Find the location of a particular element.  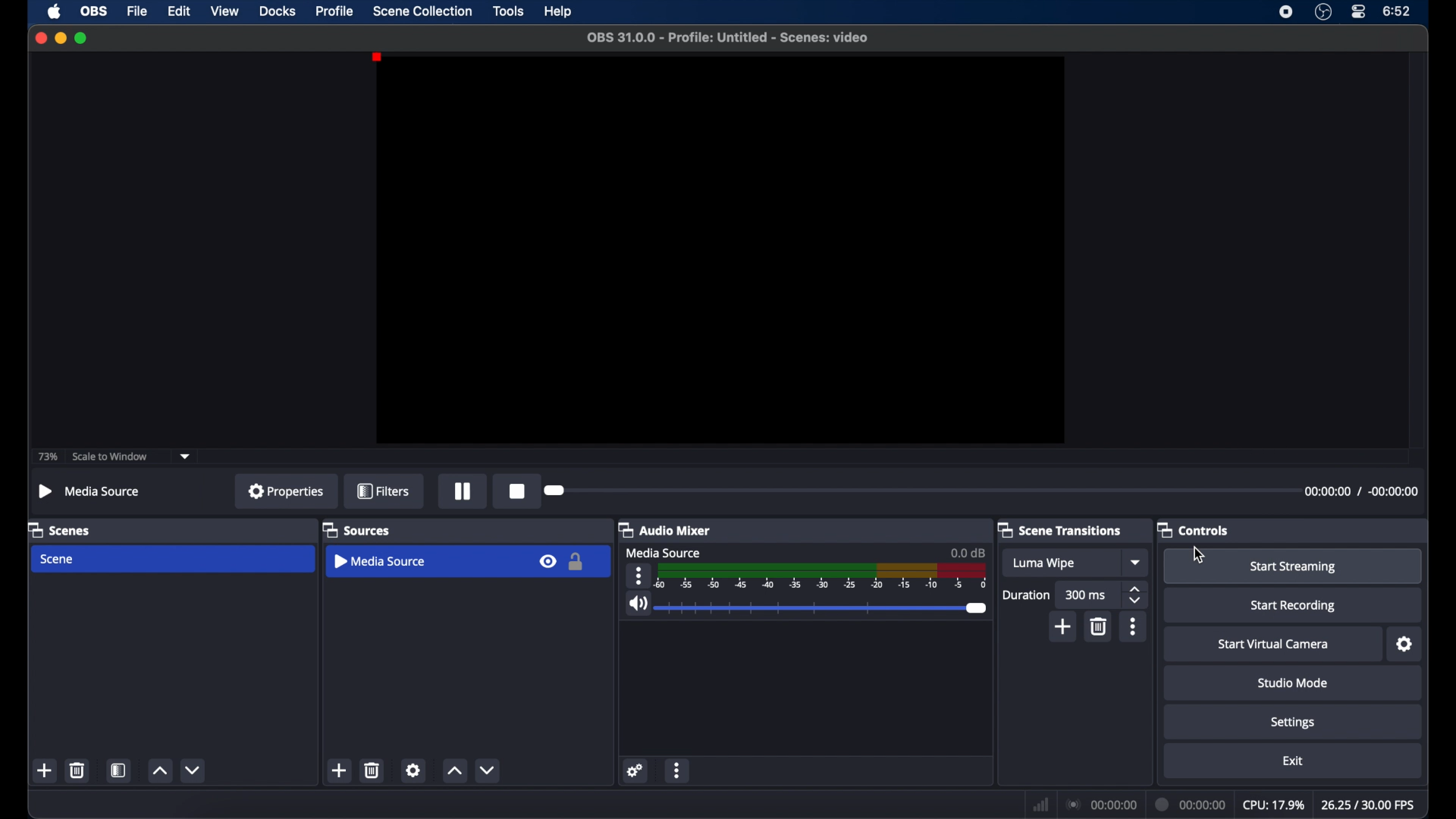

screen recorder icon is located at coordinates (1286, 11).